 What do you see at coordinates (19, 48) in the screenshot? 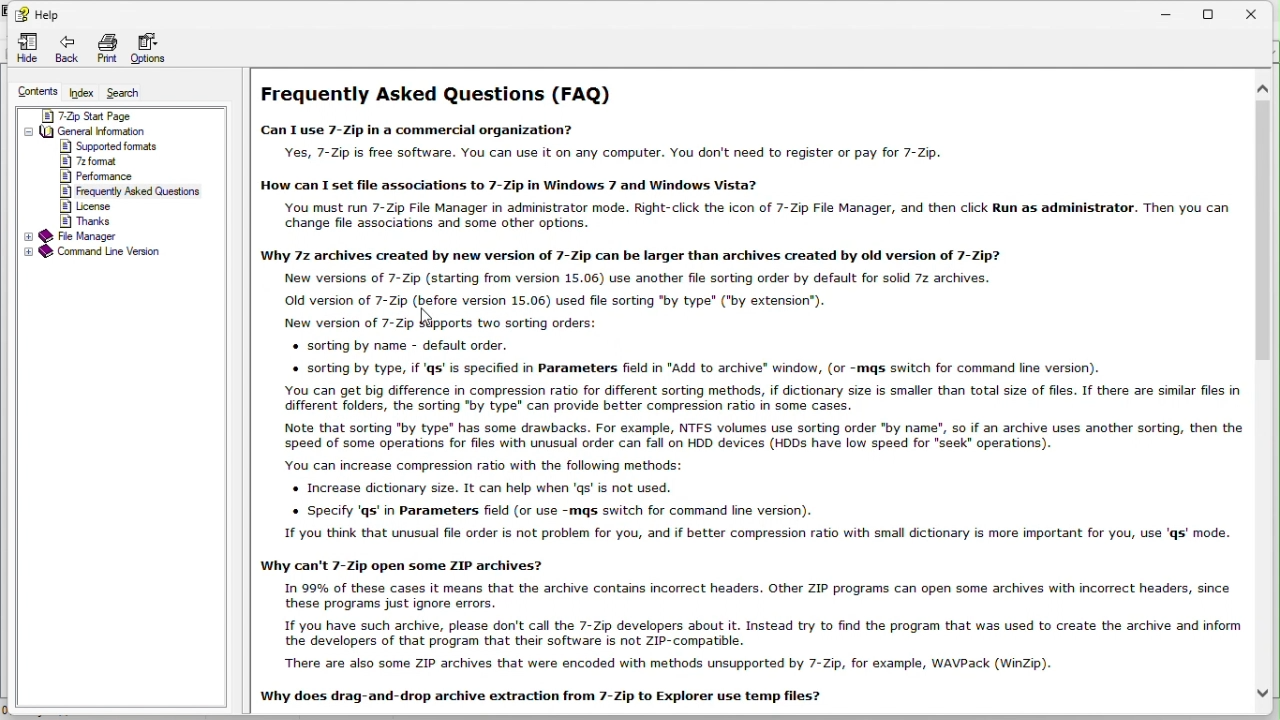
I see `Hide` at bounding box center [19, 48].